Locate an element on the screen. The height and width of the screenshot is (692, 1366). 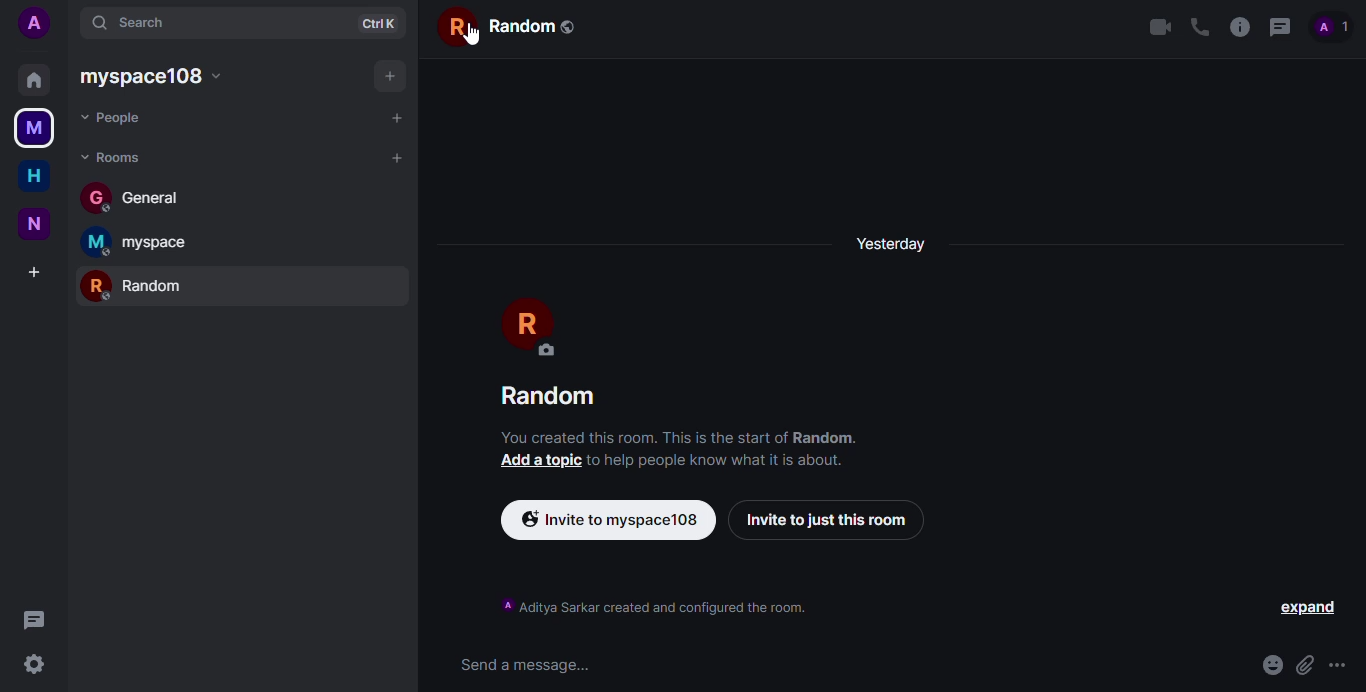
attach is located at coordinates (1302, 665).